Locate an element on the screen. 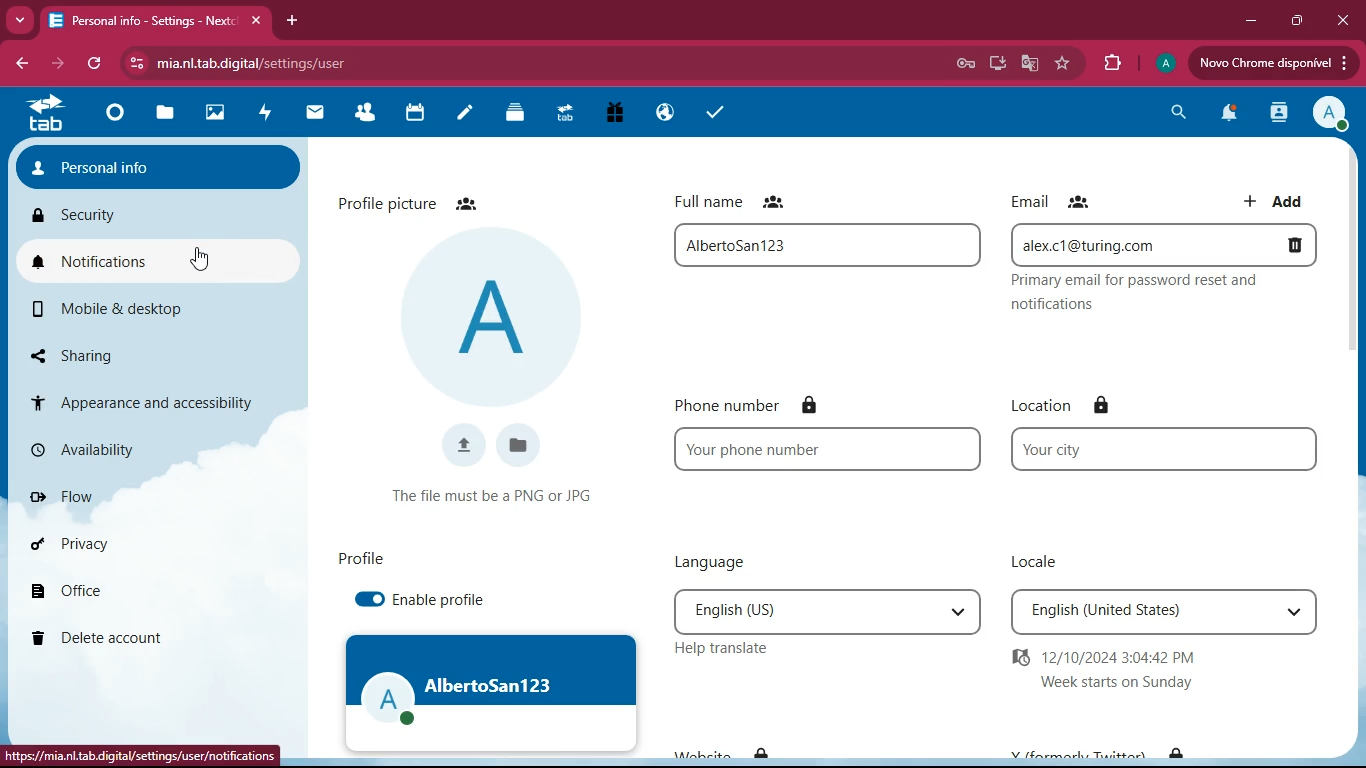  availability is located at coordinates (112, 448).